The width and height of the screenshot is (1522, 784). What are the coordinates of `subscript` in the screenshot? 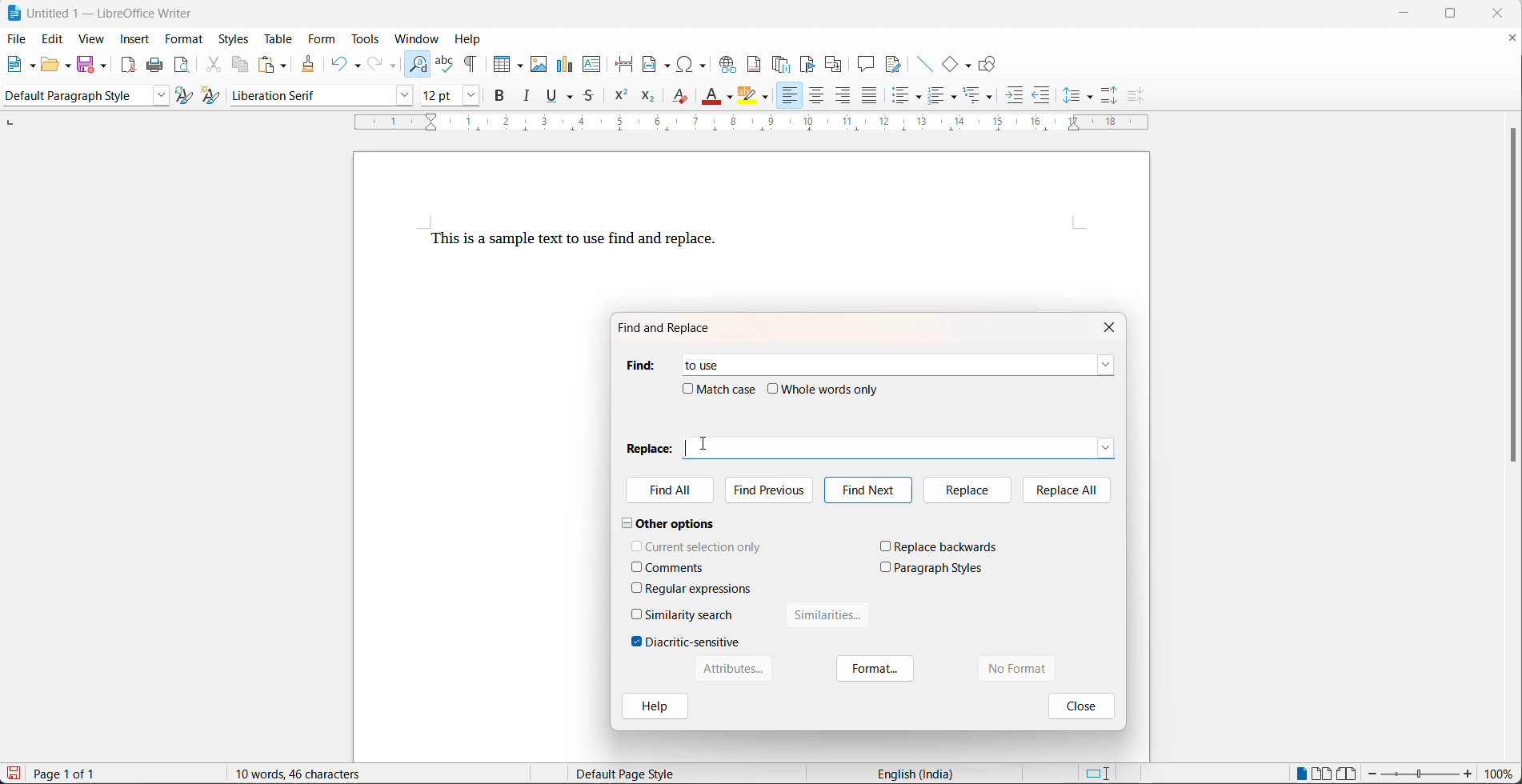 It's located at (647, 98).